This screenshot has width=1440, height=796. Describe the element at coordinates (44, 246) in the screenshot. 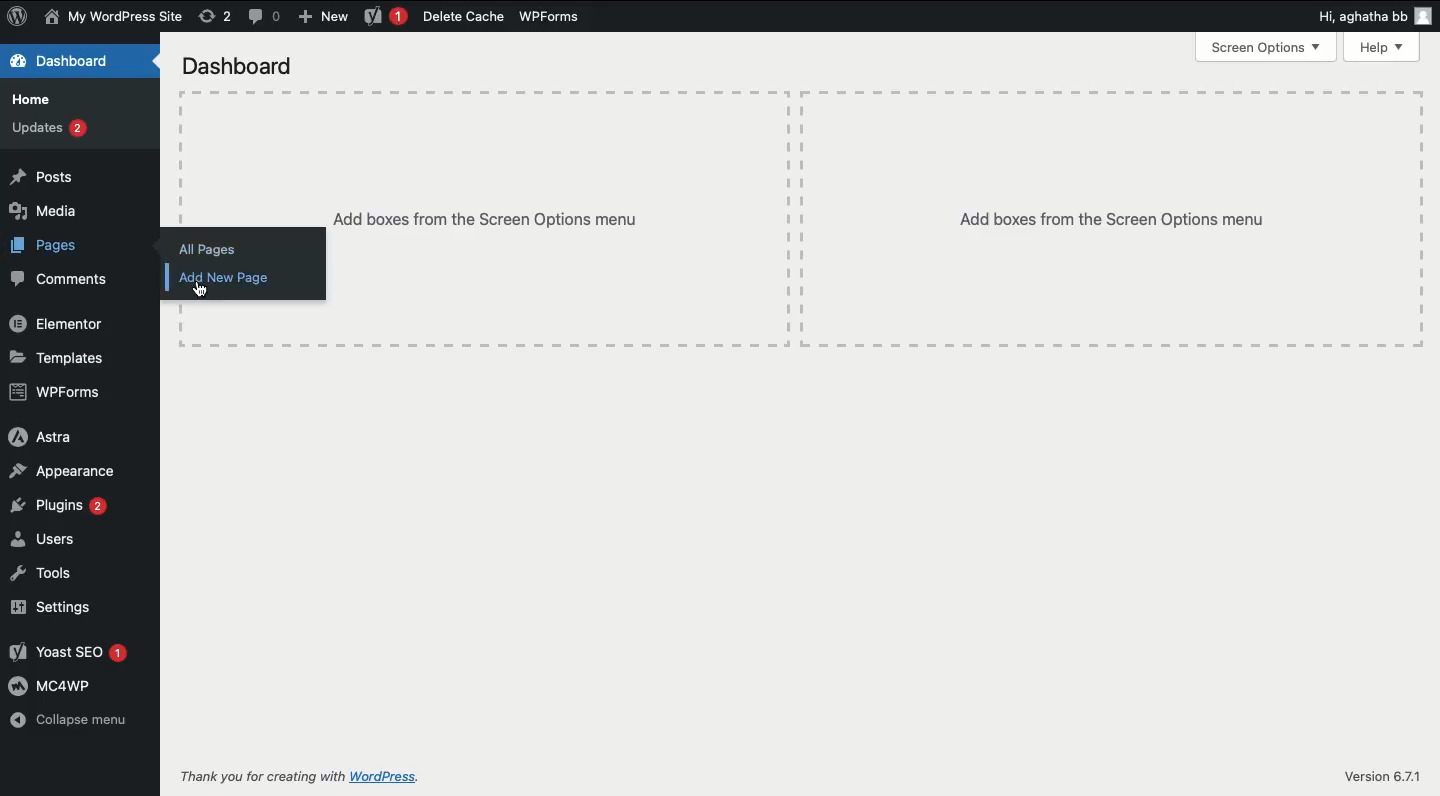

I see `Pages` at that location.